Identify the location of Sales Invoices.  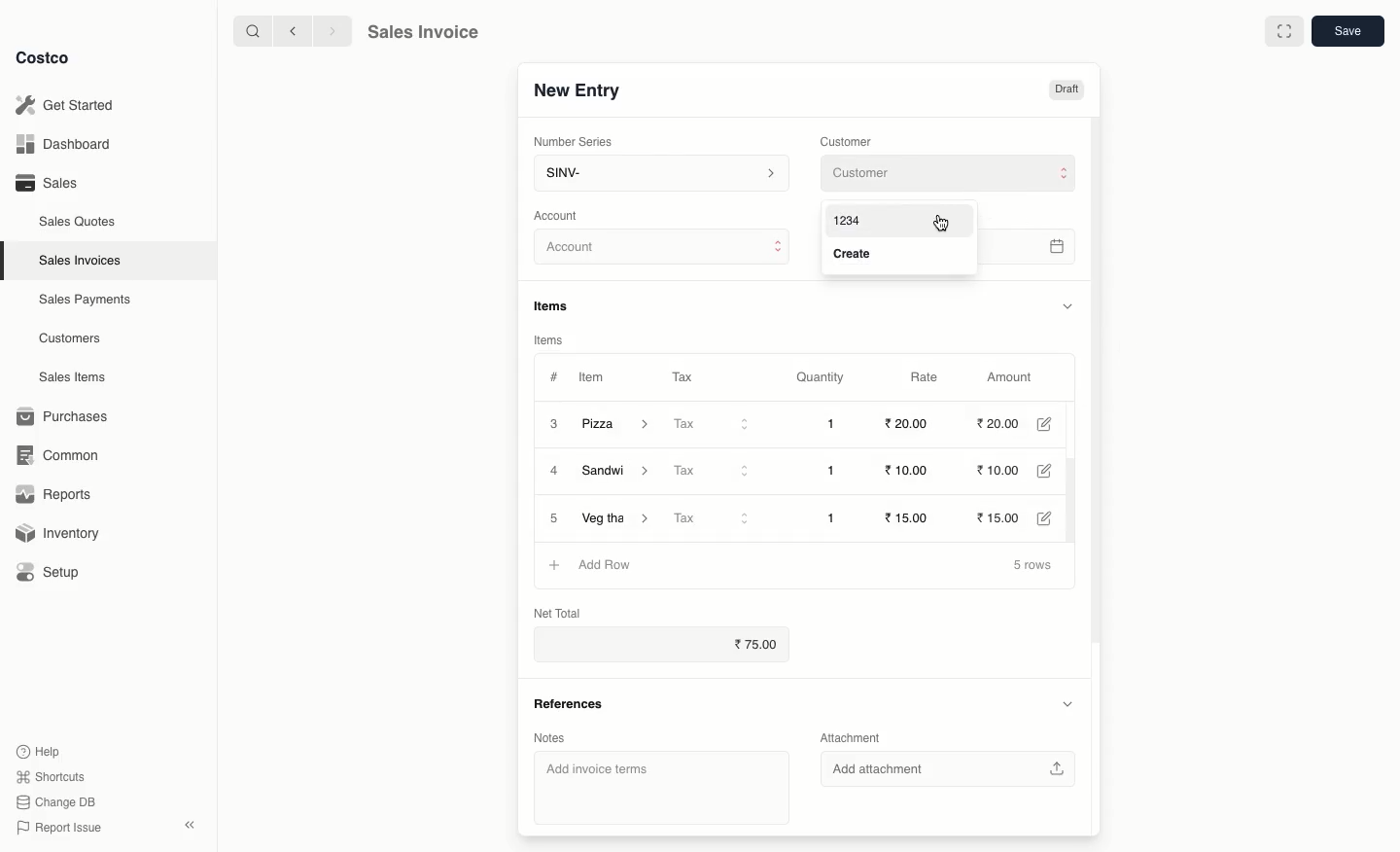
(81, 261).